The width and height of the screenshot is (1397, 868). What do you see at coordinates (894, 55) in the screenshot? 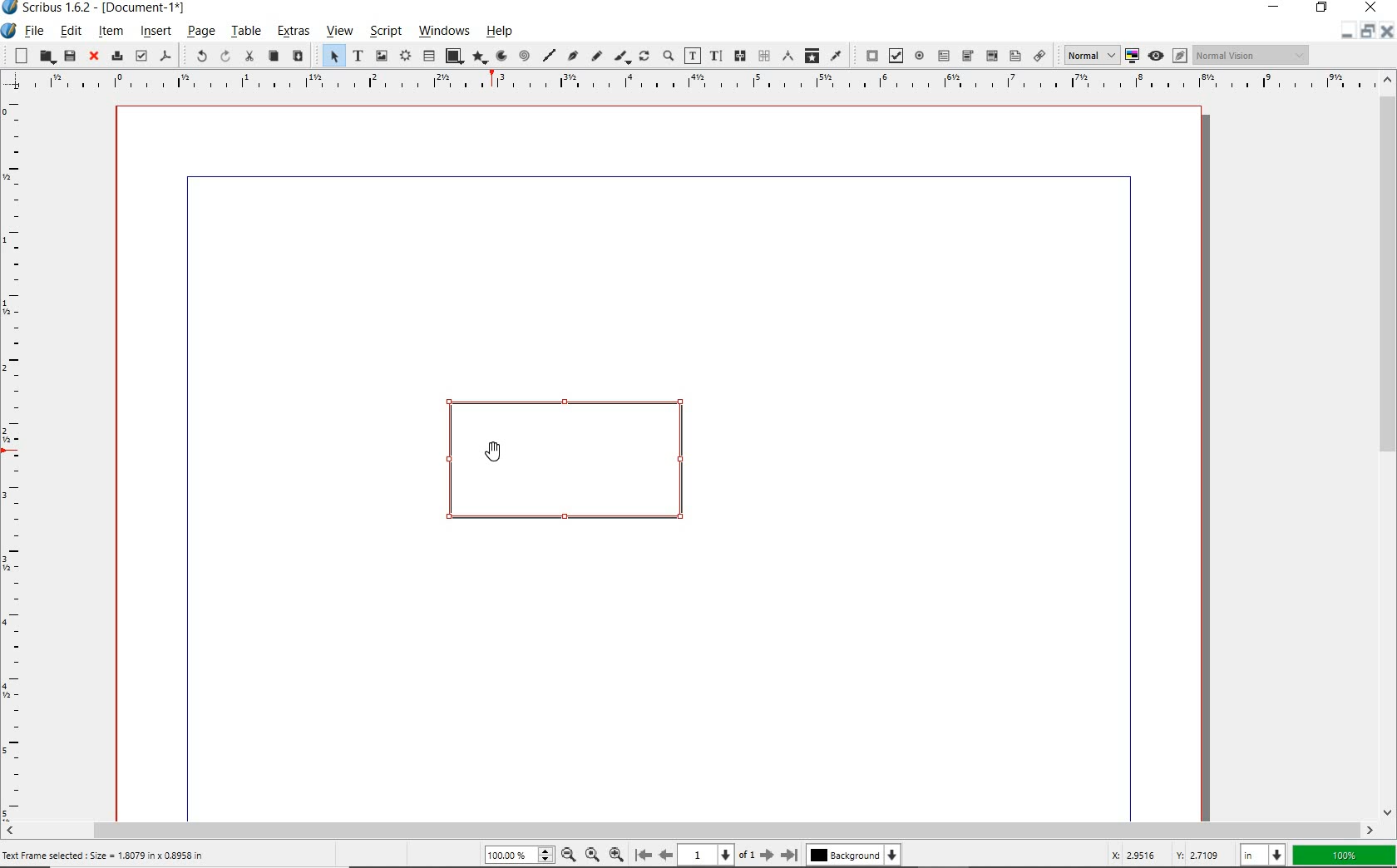
I see `pdf check box` at bounding box center [894, 55].